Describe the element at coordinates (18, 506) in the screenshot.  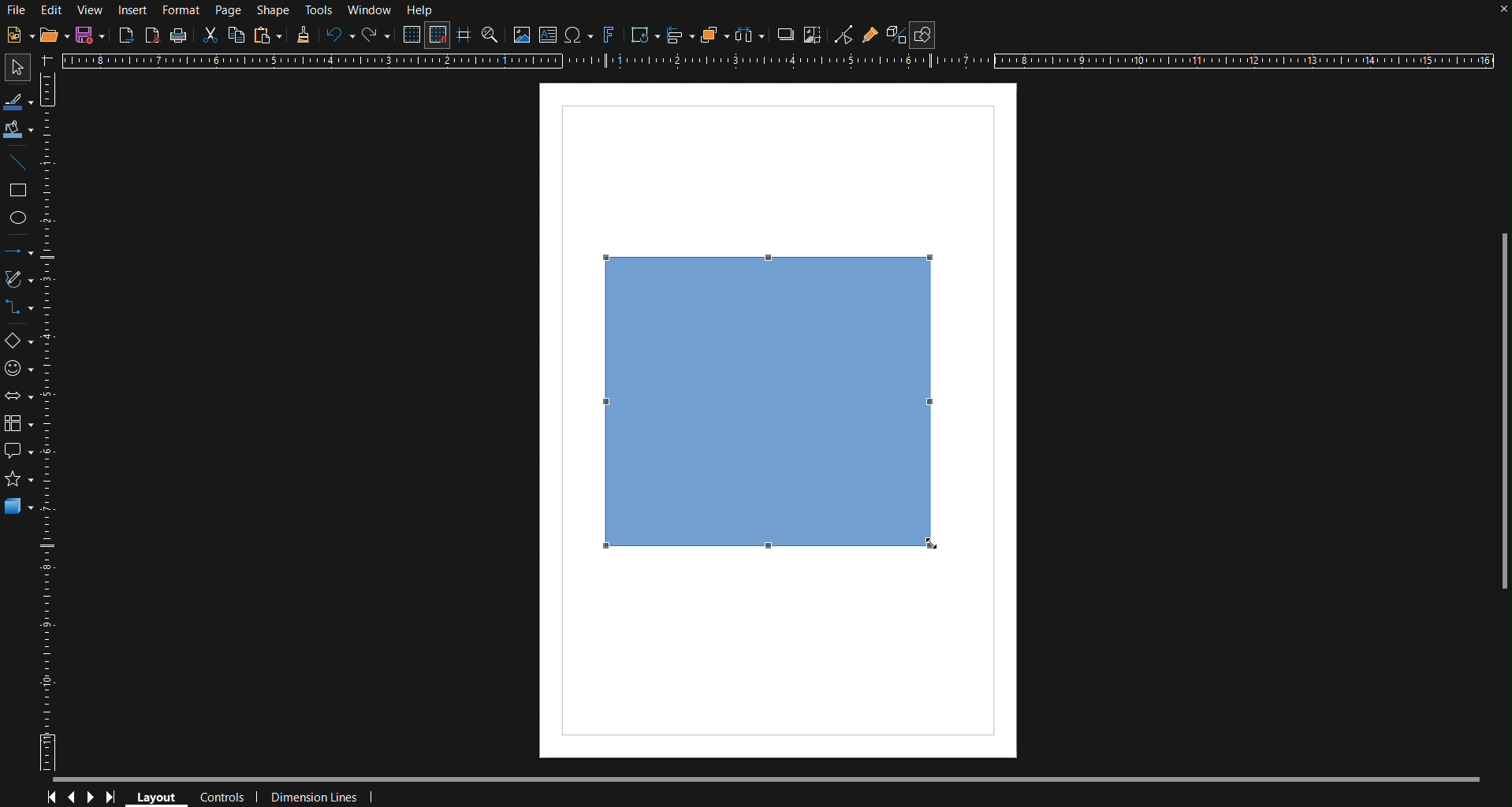
I see `3D Objects` at that location.